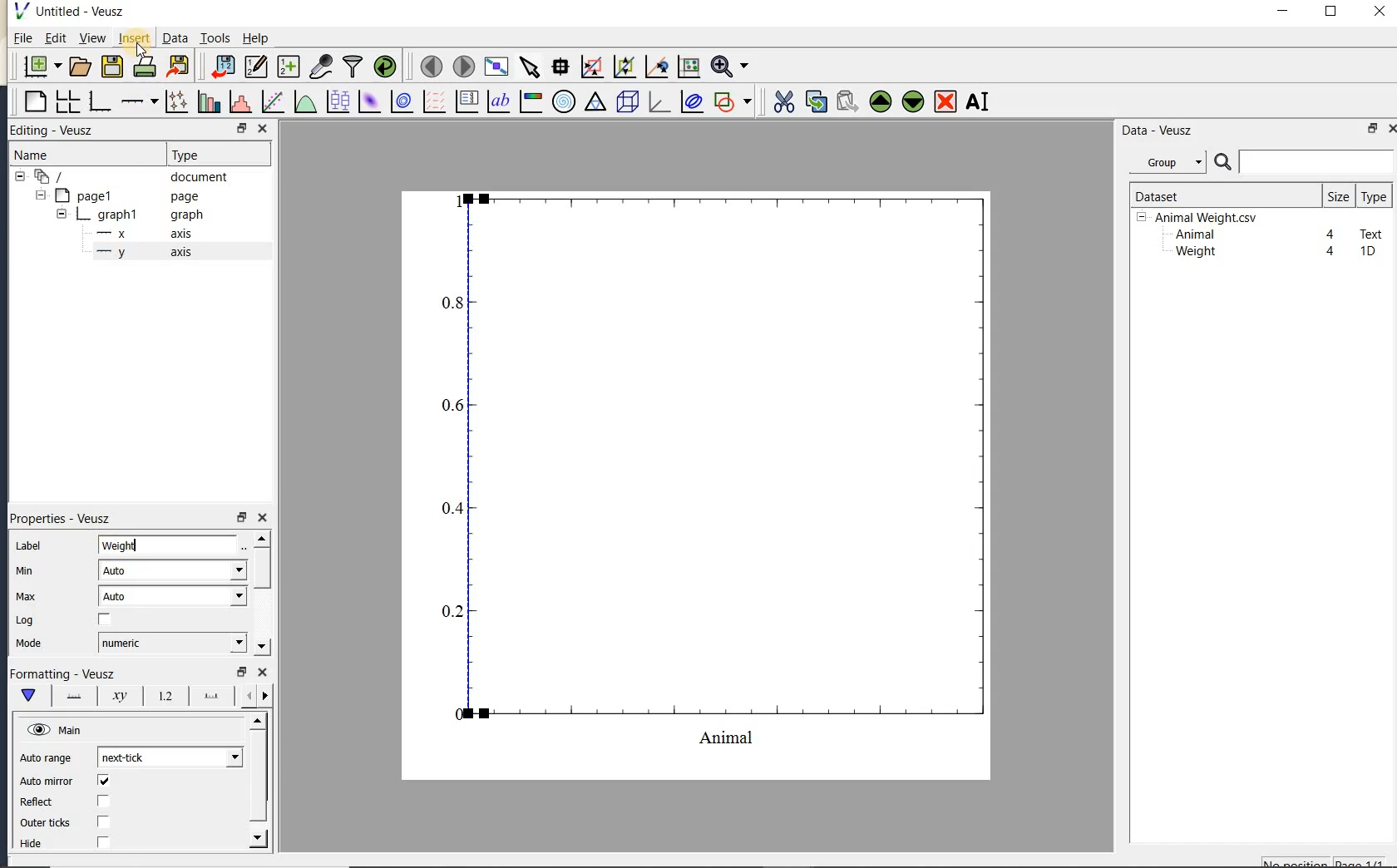 The image size is (1397, 868). Describe the element at coordinates (881, 102) in the screenshot. I see `move the selected widget up` at that location.